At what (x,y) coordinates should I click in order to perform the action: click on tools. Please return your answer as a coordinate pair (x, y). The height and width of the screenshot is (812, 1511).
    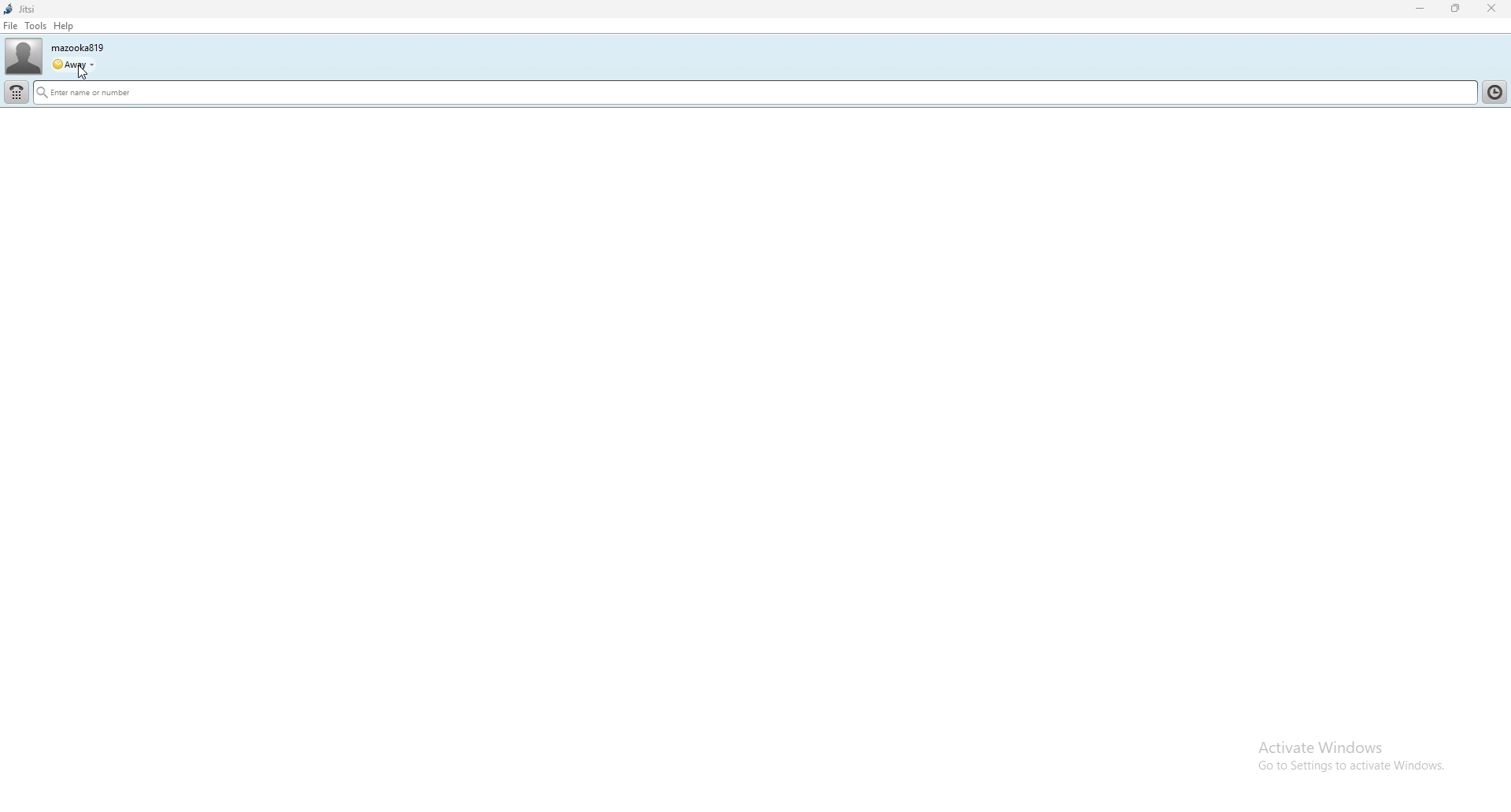
    Looking at the image, I should click on (35, 24).